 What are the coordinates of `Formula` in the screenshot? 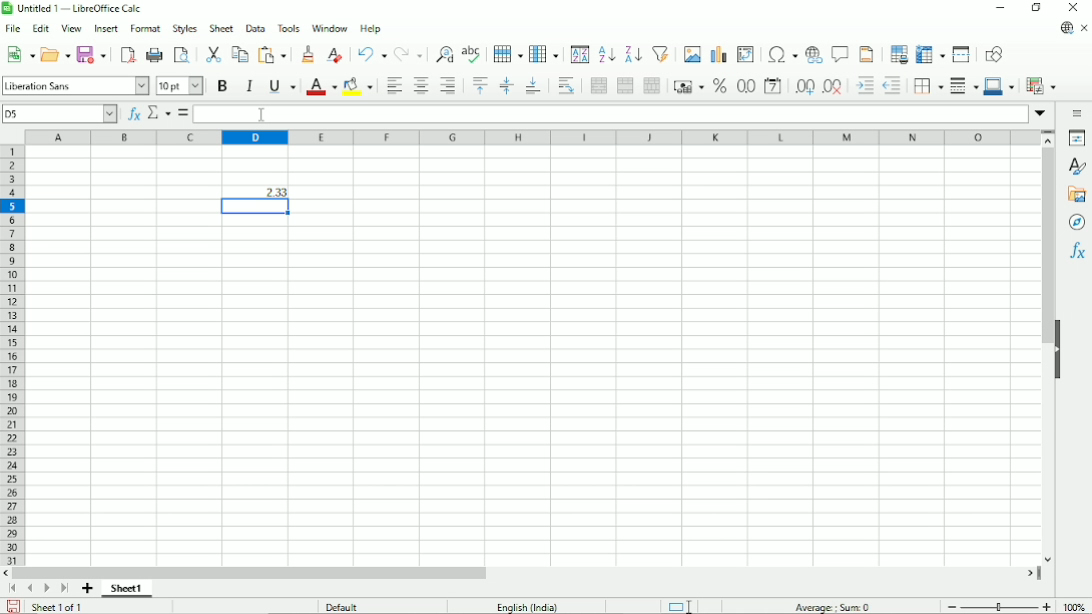 It's located at (183, 114).